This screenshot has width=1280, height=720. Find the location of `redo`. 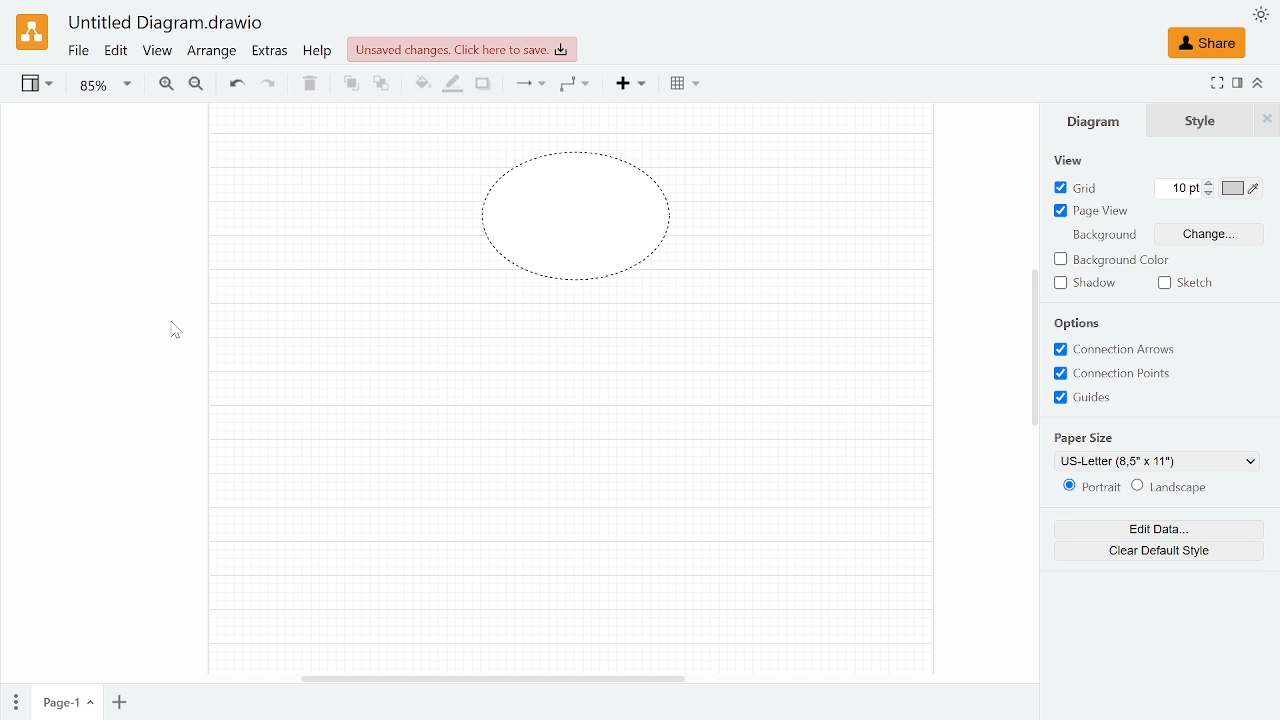

redo is located at coordinates (269, 87).